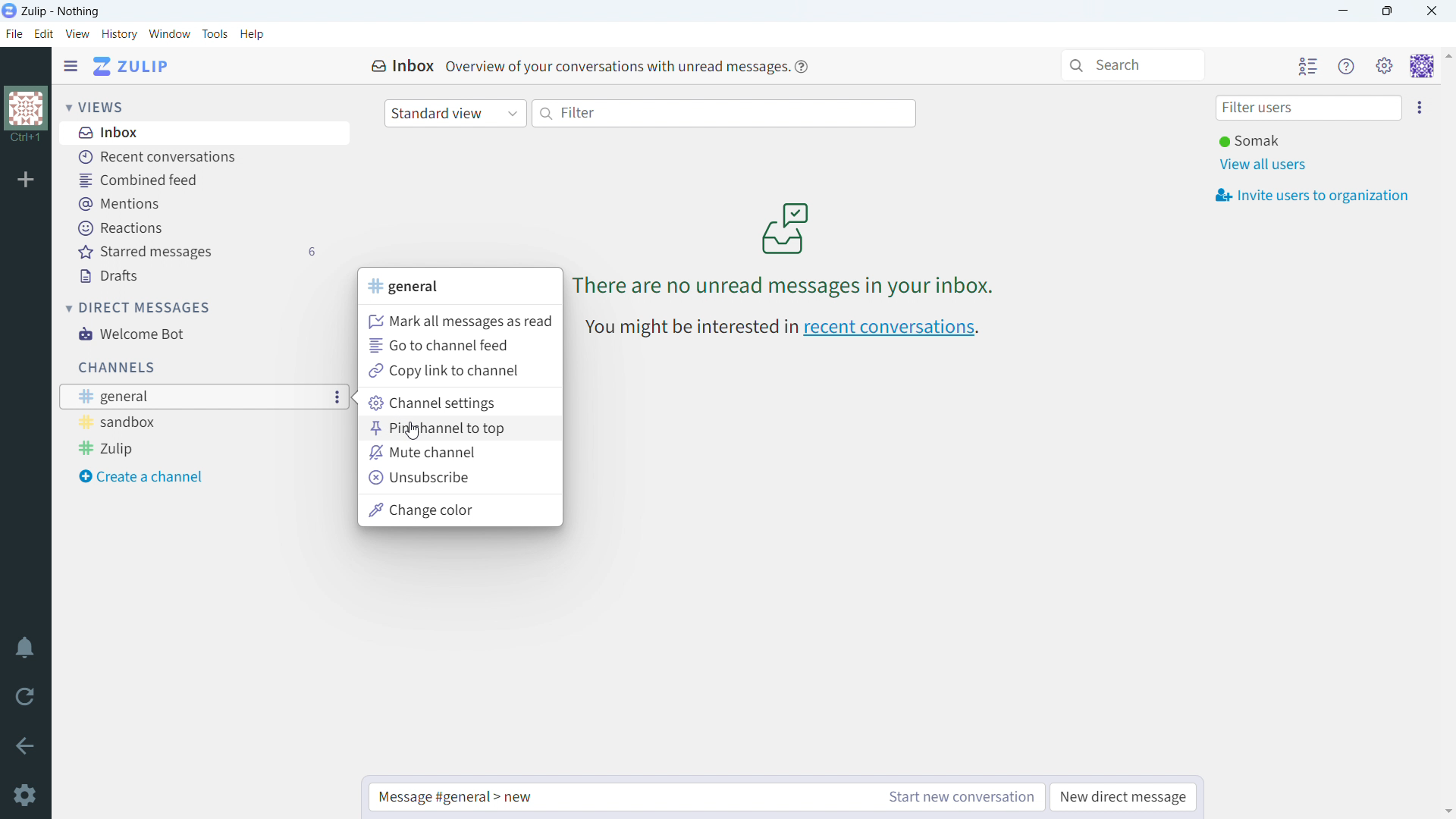 Image resolution: width=1456 pixels, height=819 pixels. What do you see at coordinates (460, 371) in the screenshot?
I see `copy linkto channel` at bounding box center [460, 371].